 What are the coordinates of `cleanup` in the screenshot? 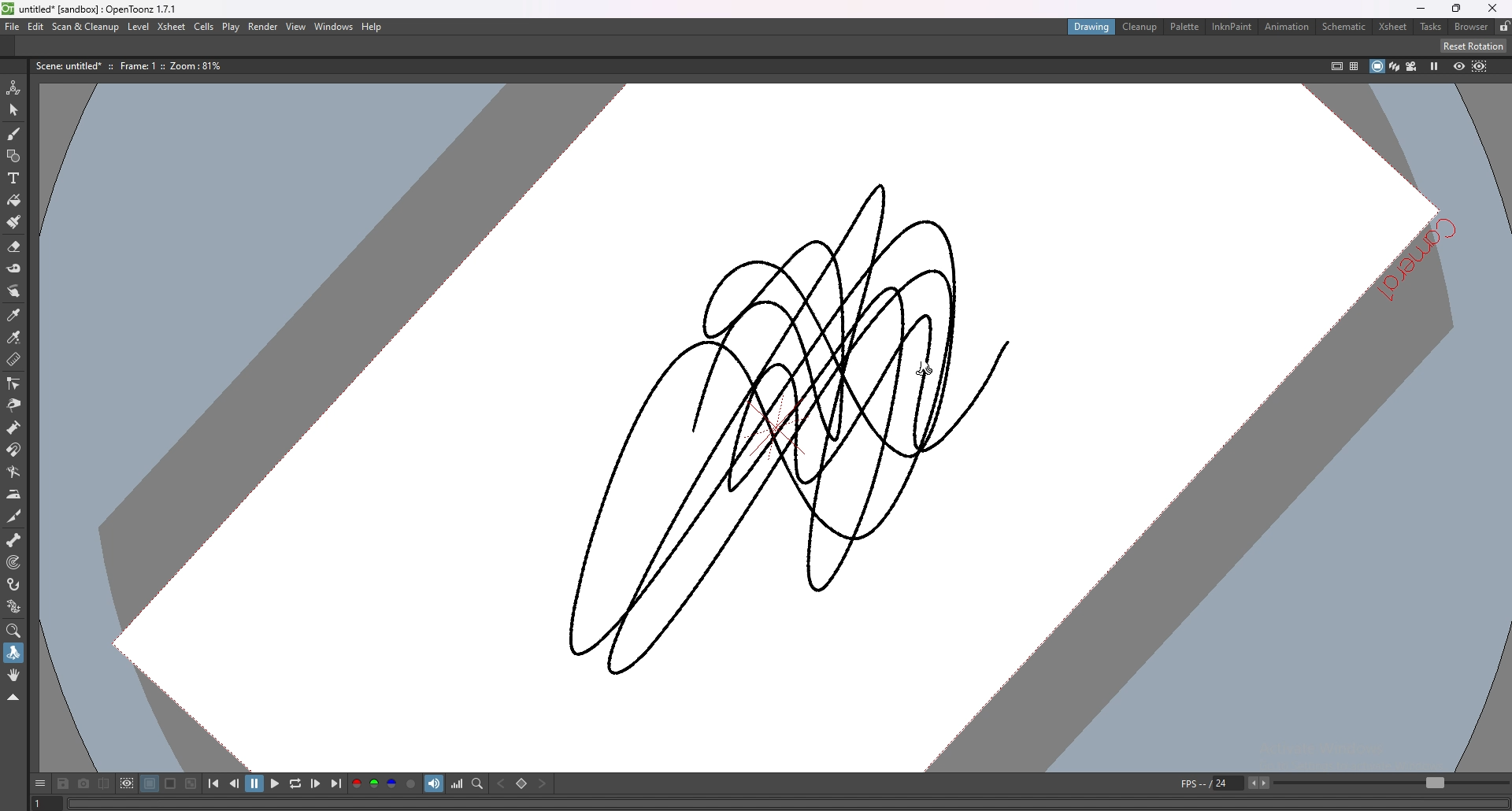 It's located at (1140, 26).